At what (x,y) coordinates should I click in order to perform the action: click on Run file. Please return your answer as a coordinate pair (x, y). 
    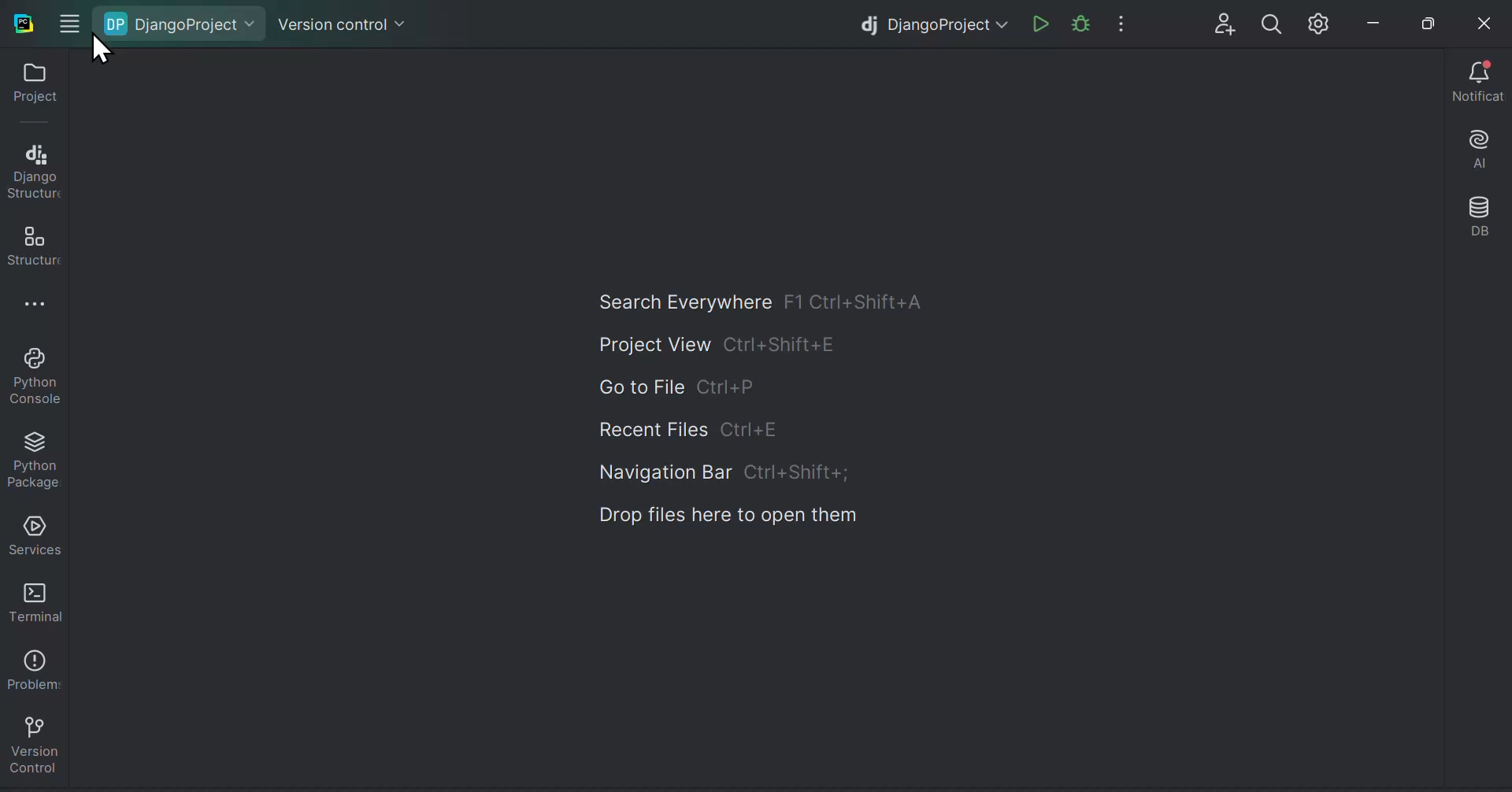
    Looking at the image, I should click on (1037, 19).